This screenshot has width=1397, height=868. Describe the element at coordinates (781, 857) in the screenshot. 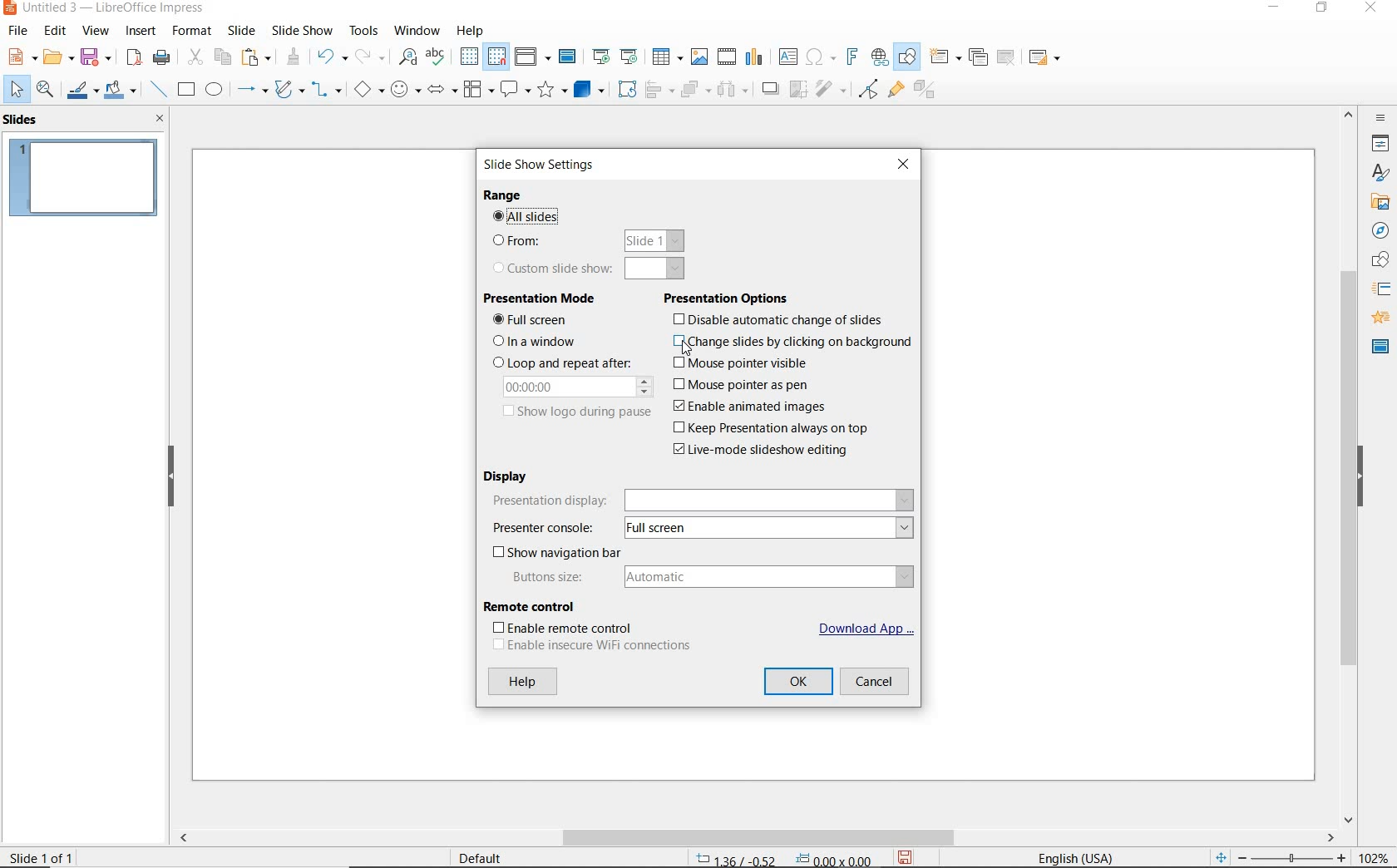

I see `POSITION AND SIZE` at that location.